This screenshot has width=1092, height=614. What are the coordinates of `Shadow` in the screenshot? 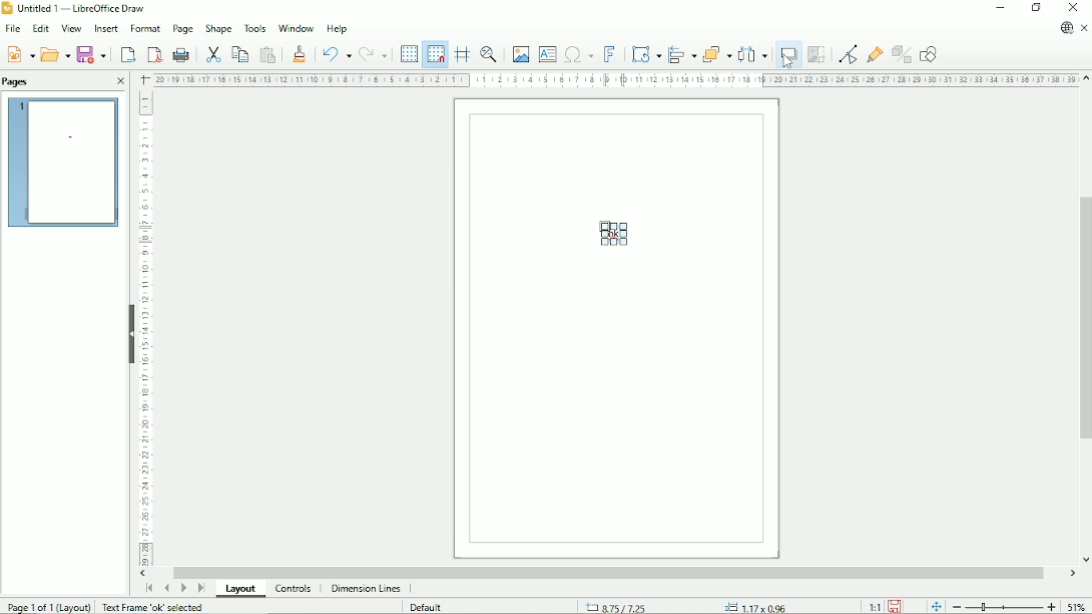 It's located at (789, 54).